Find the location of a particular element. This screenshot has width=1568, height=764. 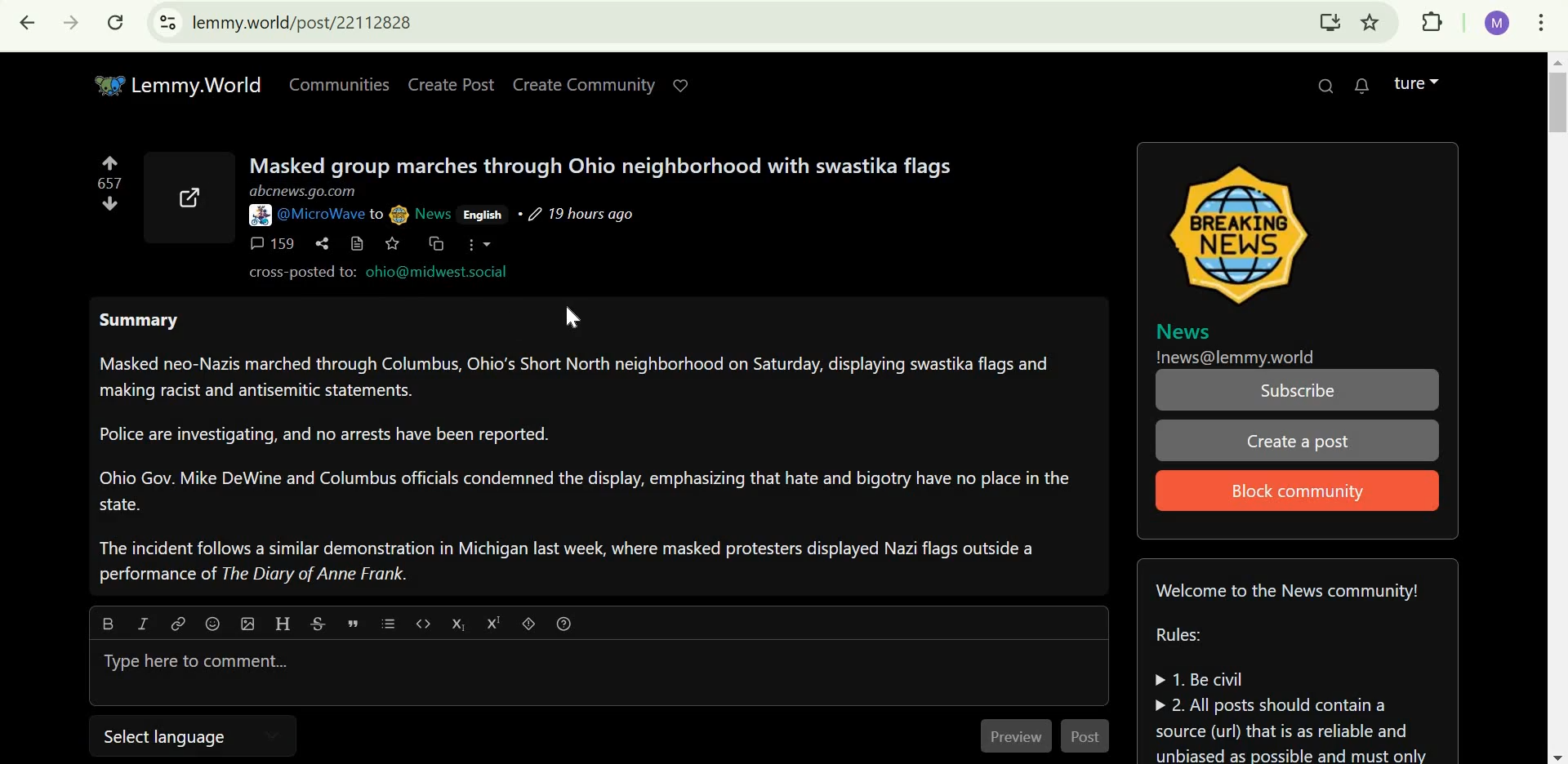

scrollbar is located at coordinates (1552, 408).